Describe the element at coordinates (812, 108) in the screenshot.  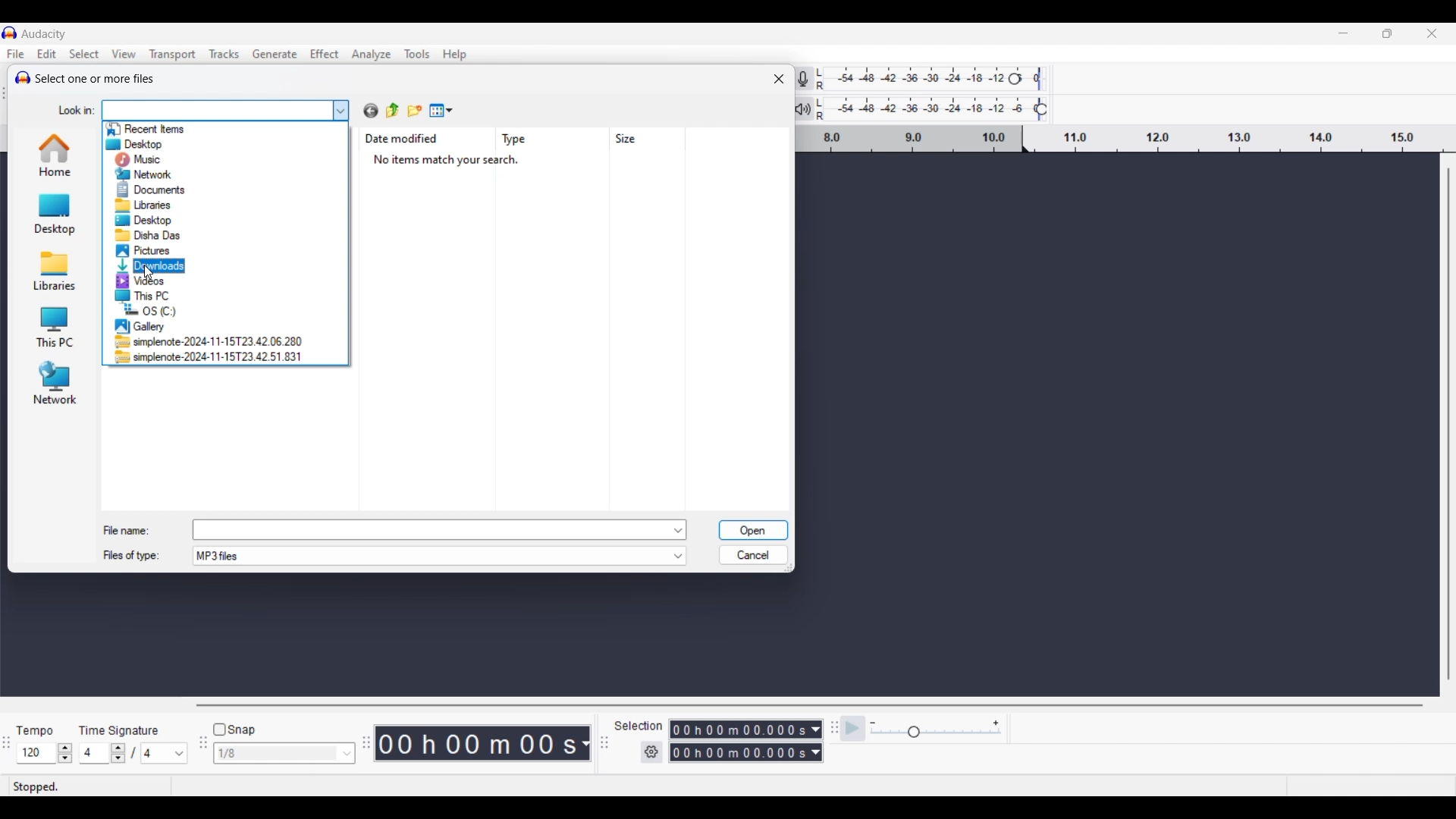
I see `Playback meter` at that location.